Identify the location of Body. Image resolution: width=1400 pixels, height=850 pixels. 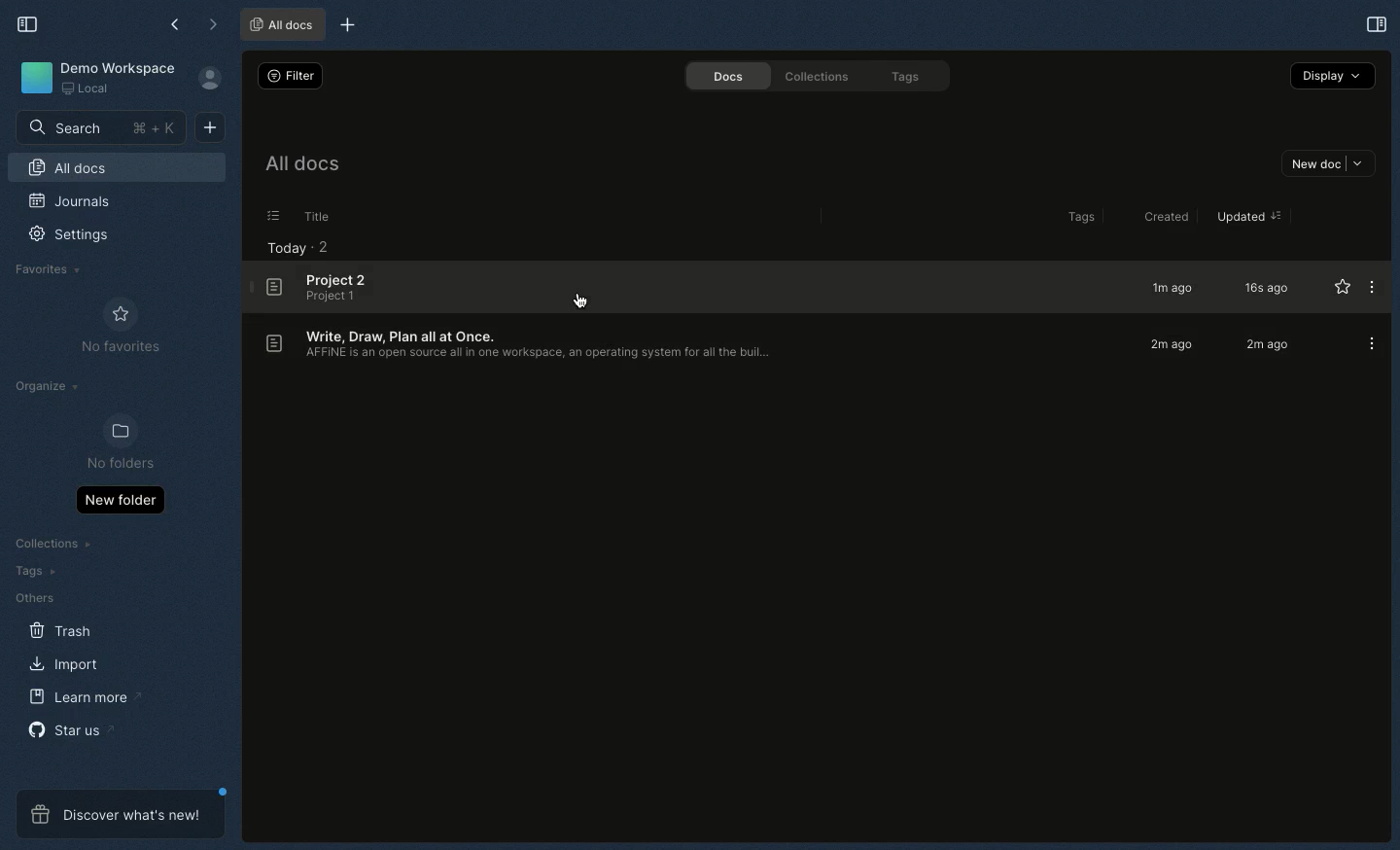
(335, 300).